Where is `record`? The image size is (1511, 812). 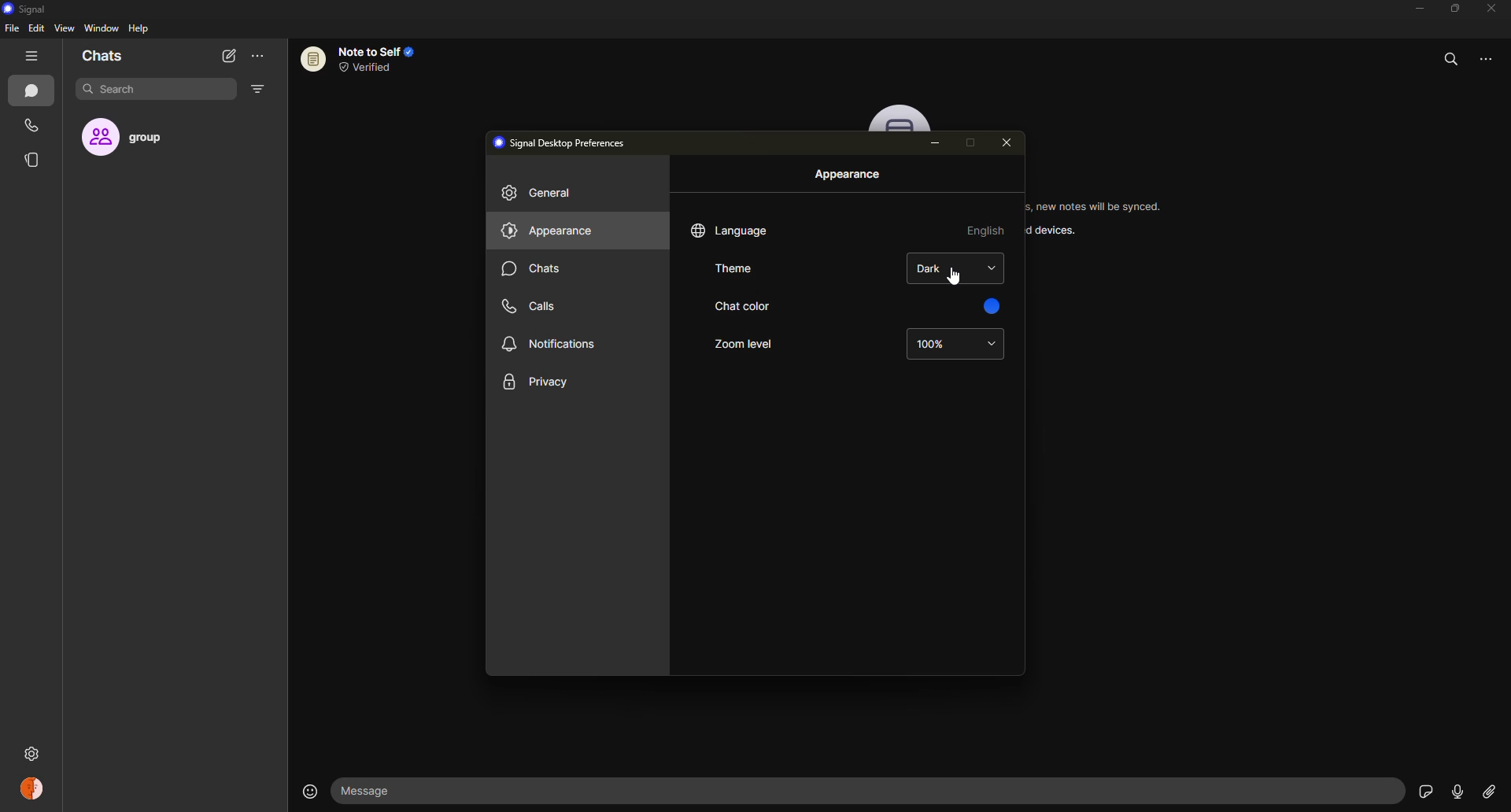 record is located at coordinates (1452, 791).